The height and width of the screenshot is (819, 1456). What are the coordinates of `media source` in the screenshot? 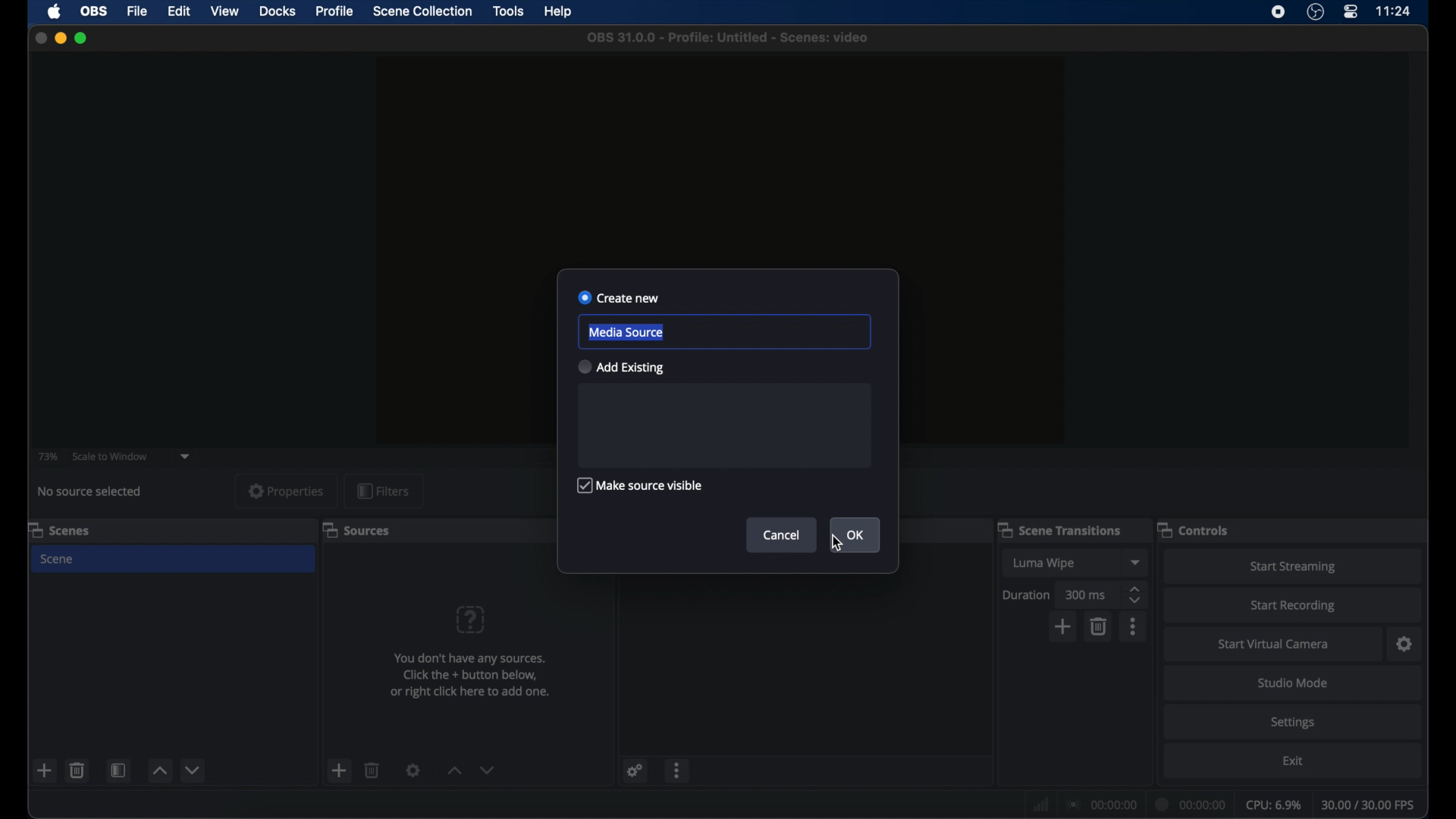 It's located at (626, 332).